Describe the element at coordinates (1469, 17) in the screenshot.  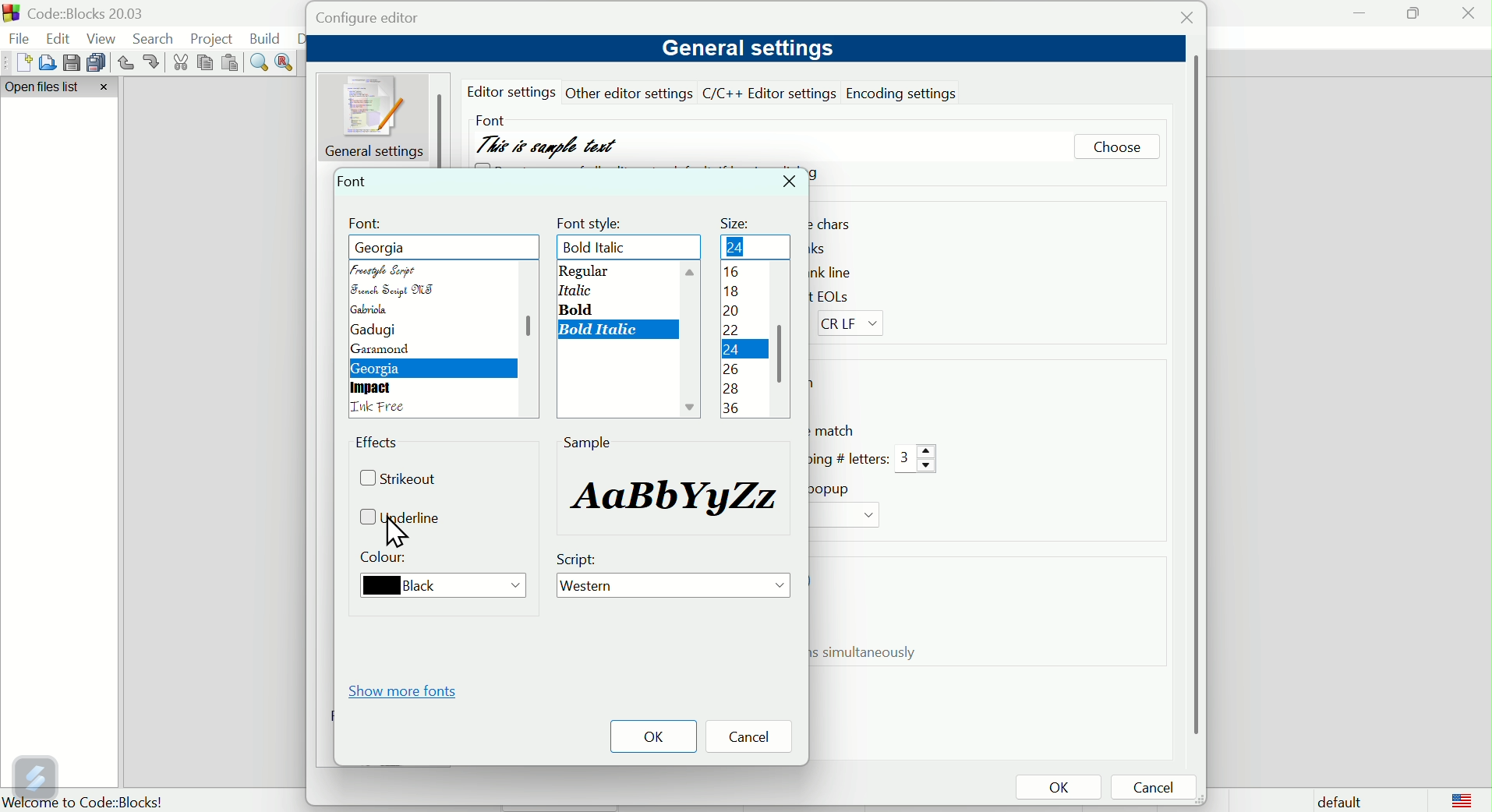
I see `Close` at that location.